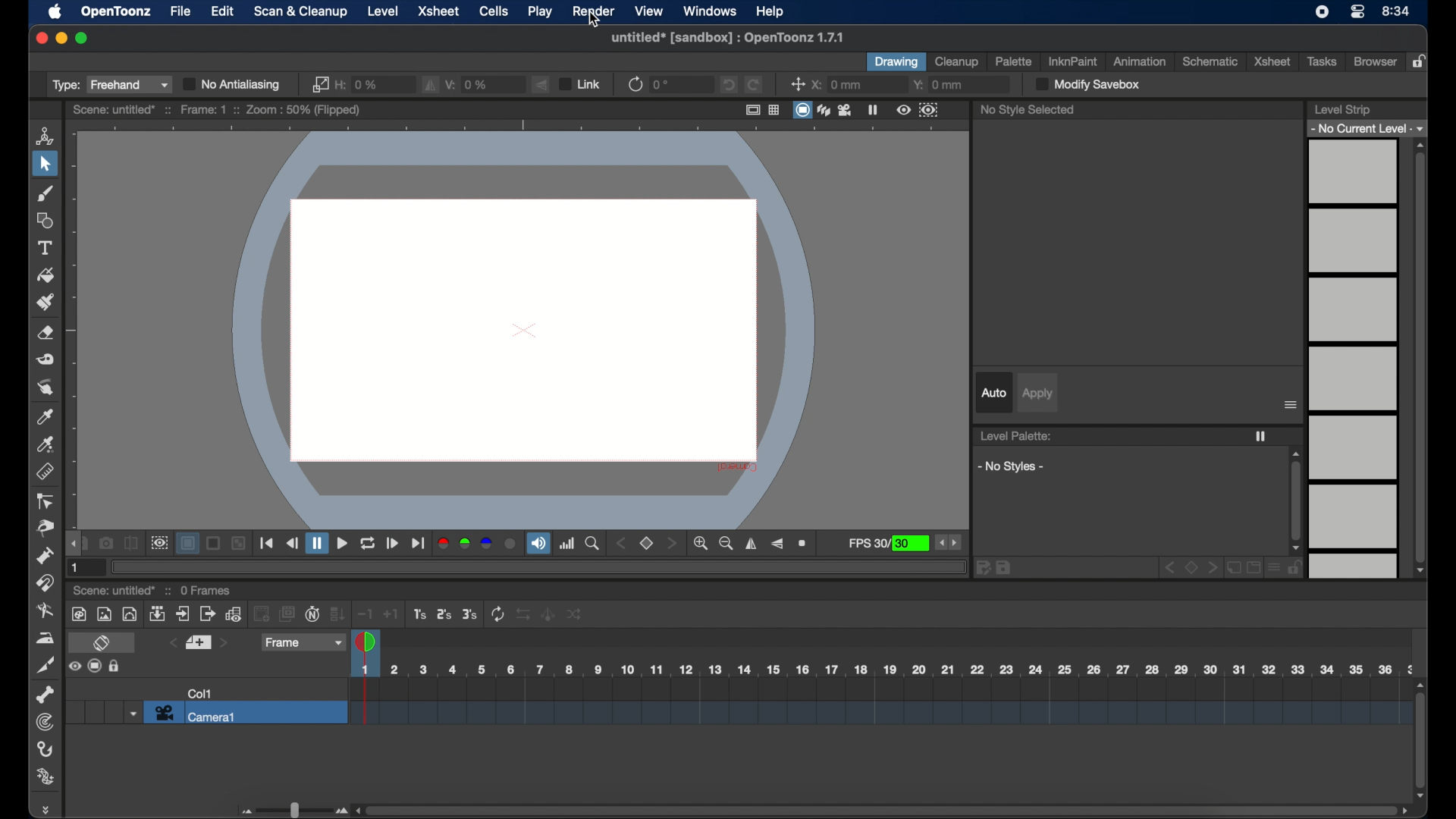 The image size is (1456, 819). Describe the element at coordinates (45, 165) in the screenshot. I see `selection tool` at that location.